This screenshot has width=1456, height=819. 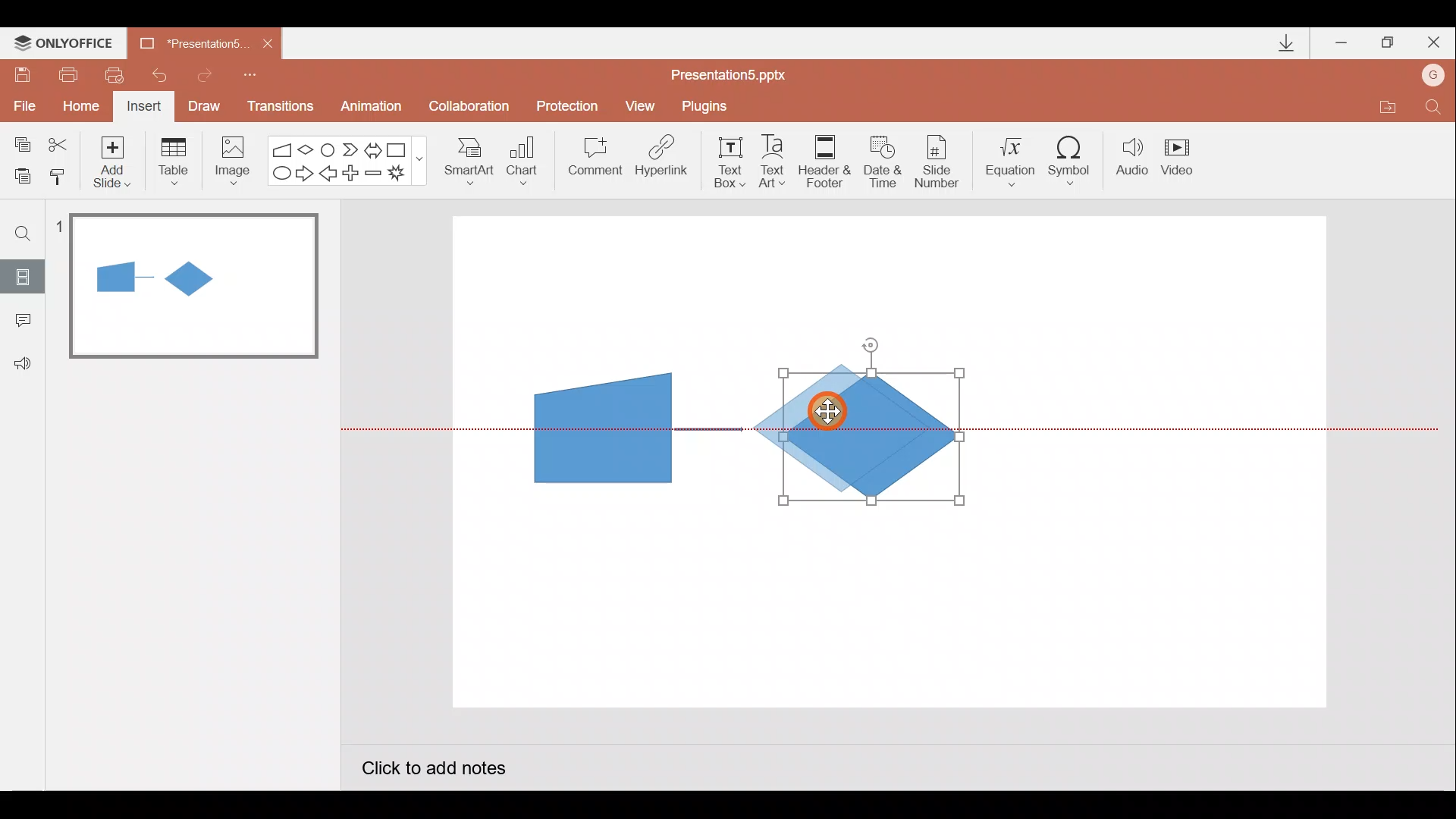 What do you see at coordinates (1183, 158) in the screenshot?
I see `Video` at bounding box center [1183, 158].